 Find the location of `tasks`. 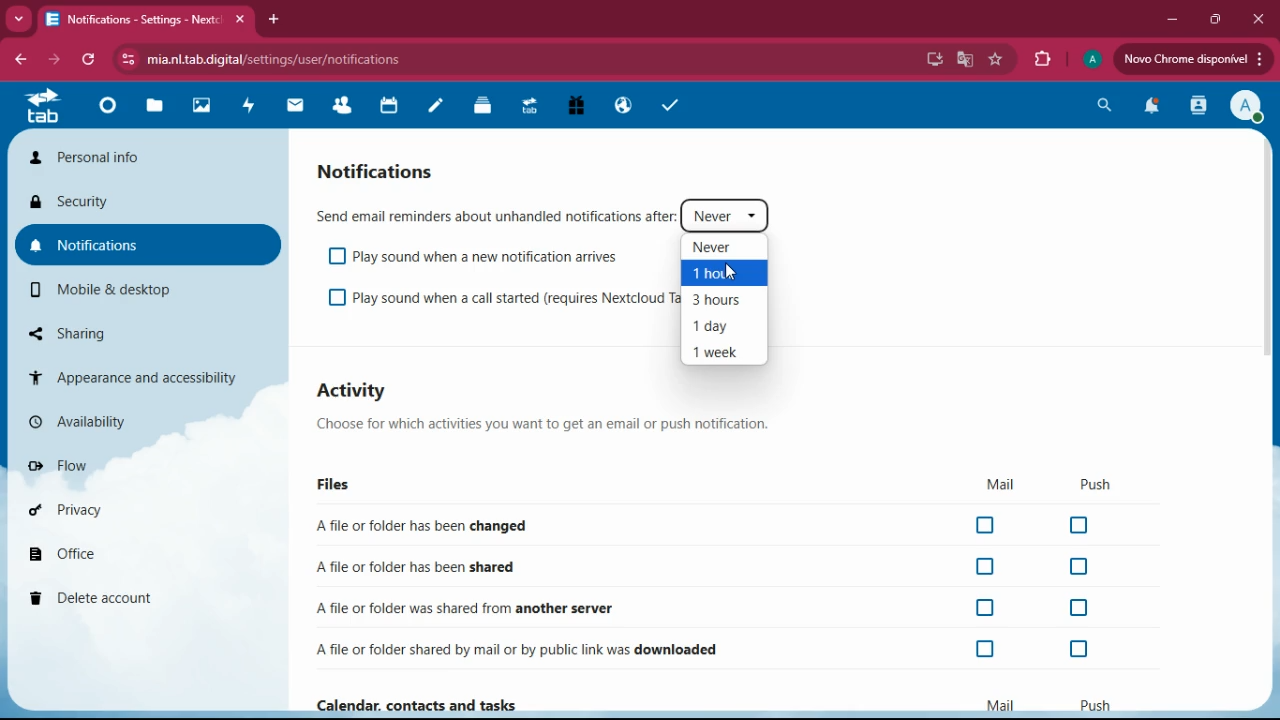

tasks is located at coordinates (666, 106).